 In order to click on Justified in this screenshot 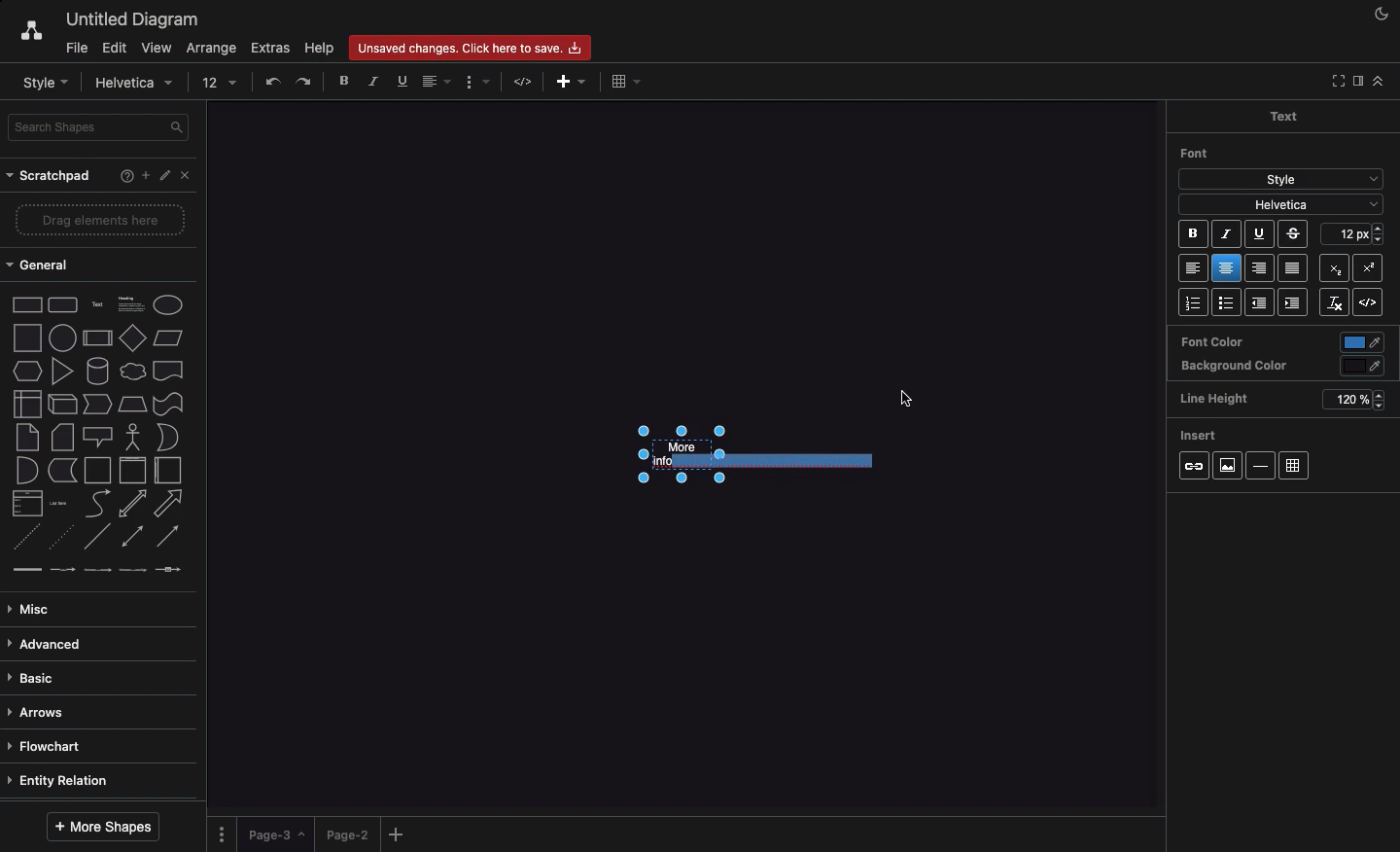, I will do `click(1294, 269)`.